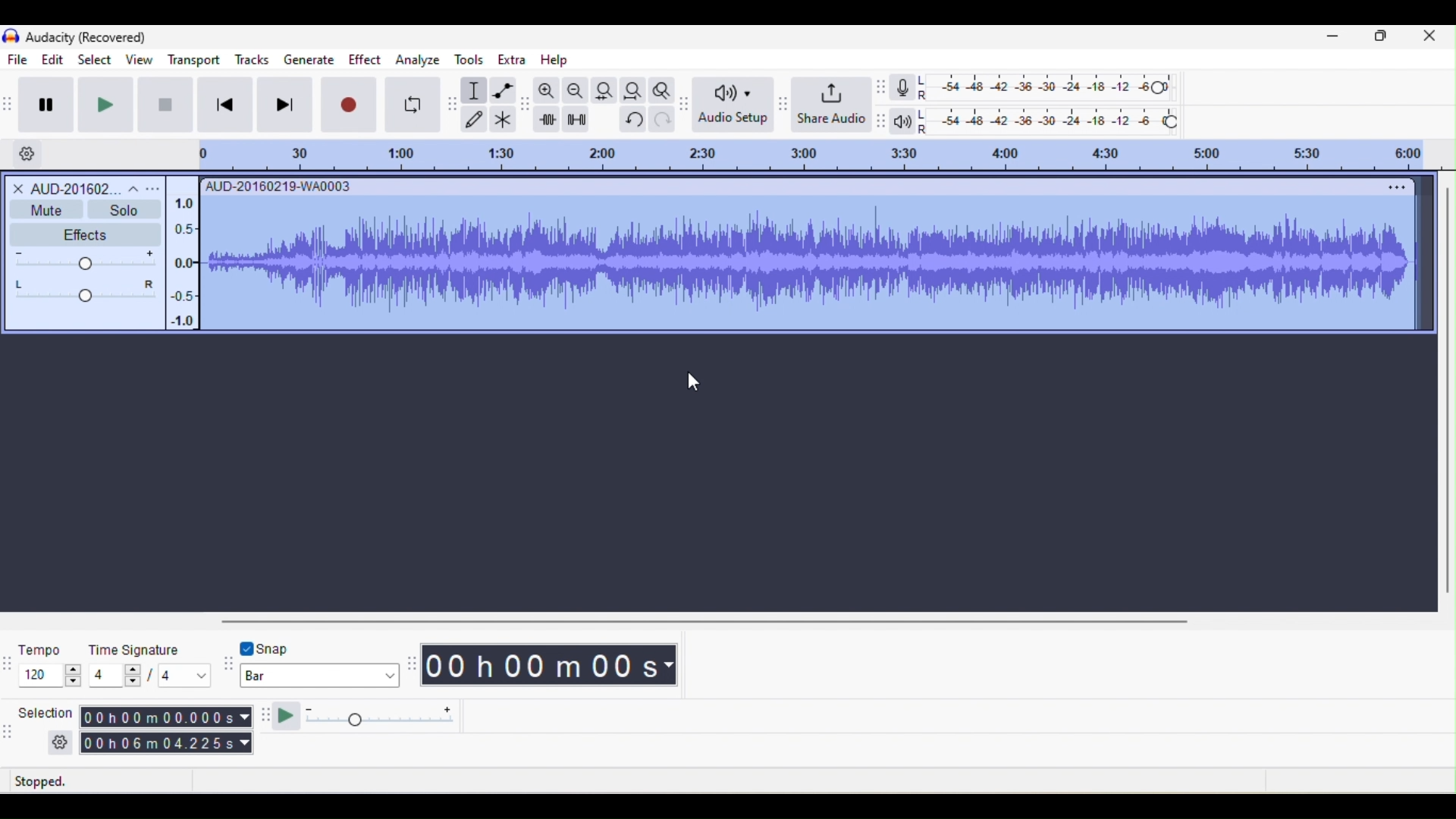 This screenshot has width=1456, height=819. Describe the element at coordinates (43, 727) in the screenshot. I see `selection` at that location.